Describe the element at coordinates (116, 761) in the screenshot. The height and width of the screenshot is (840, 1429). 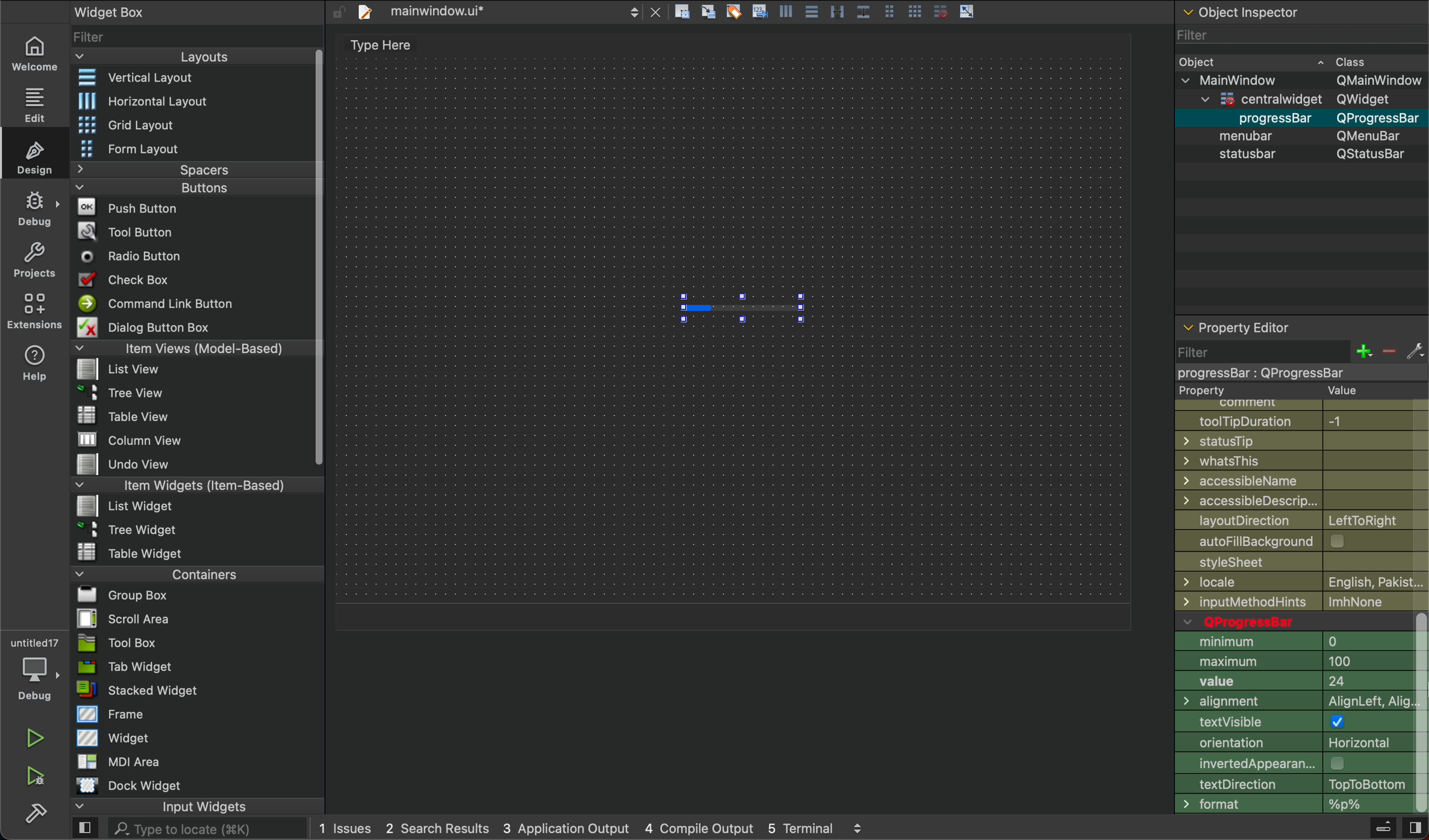
I see `MDI Area` at that location.